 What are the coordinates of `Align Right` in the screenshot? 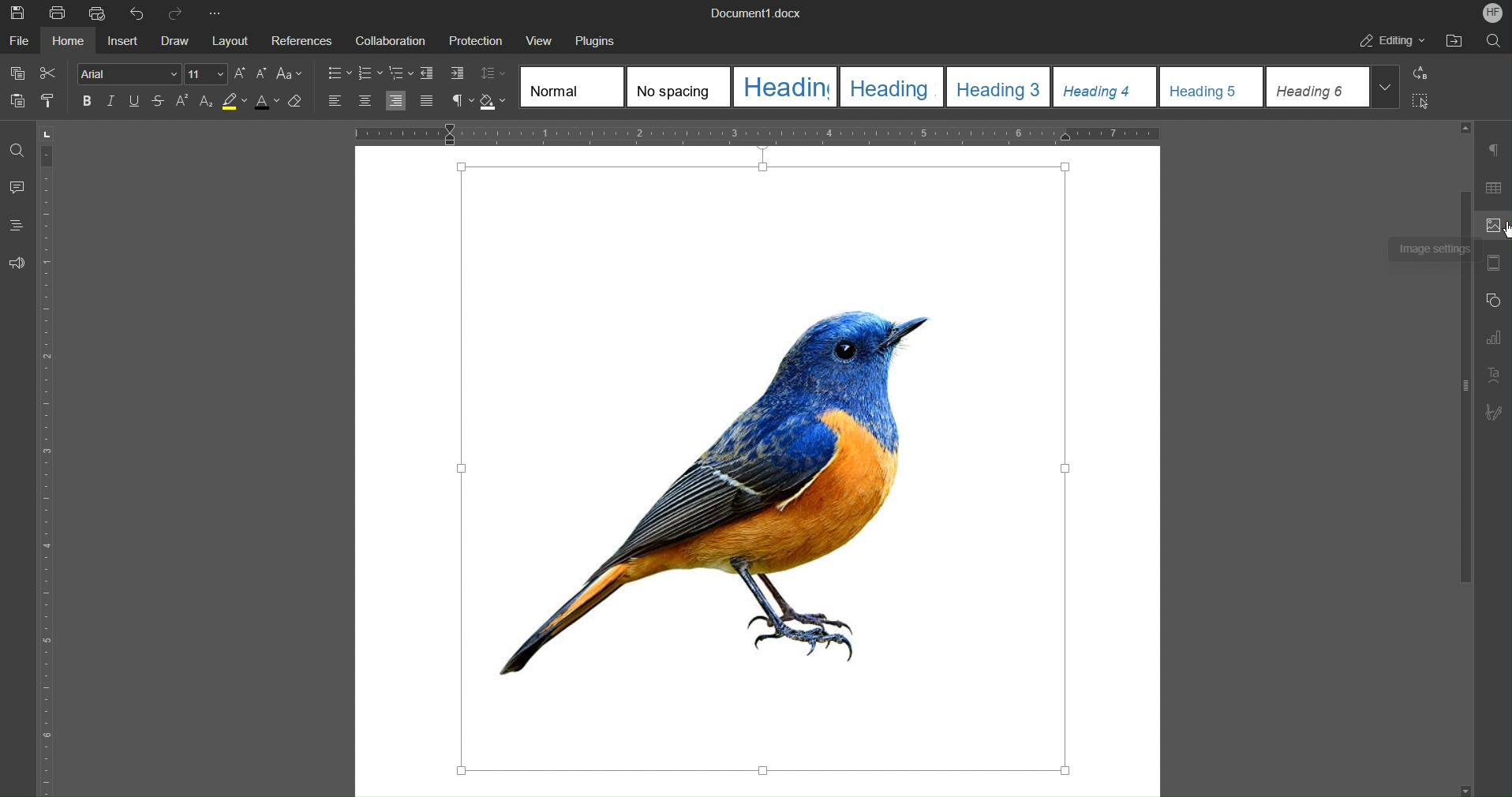 It's located at (398, 101).